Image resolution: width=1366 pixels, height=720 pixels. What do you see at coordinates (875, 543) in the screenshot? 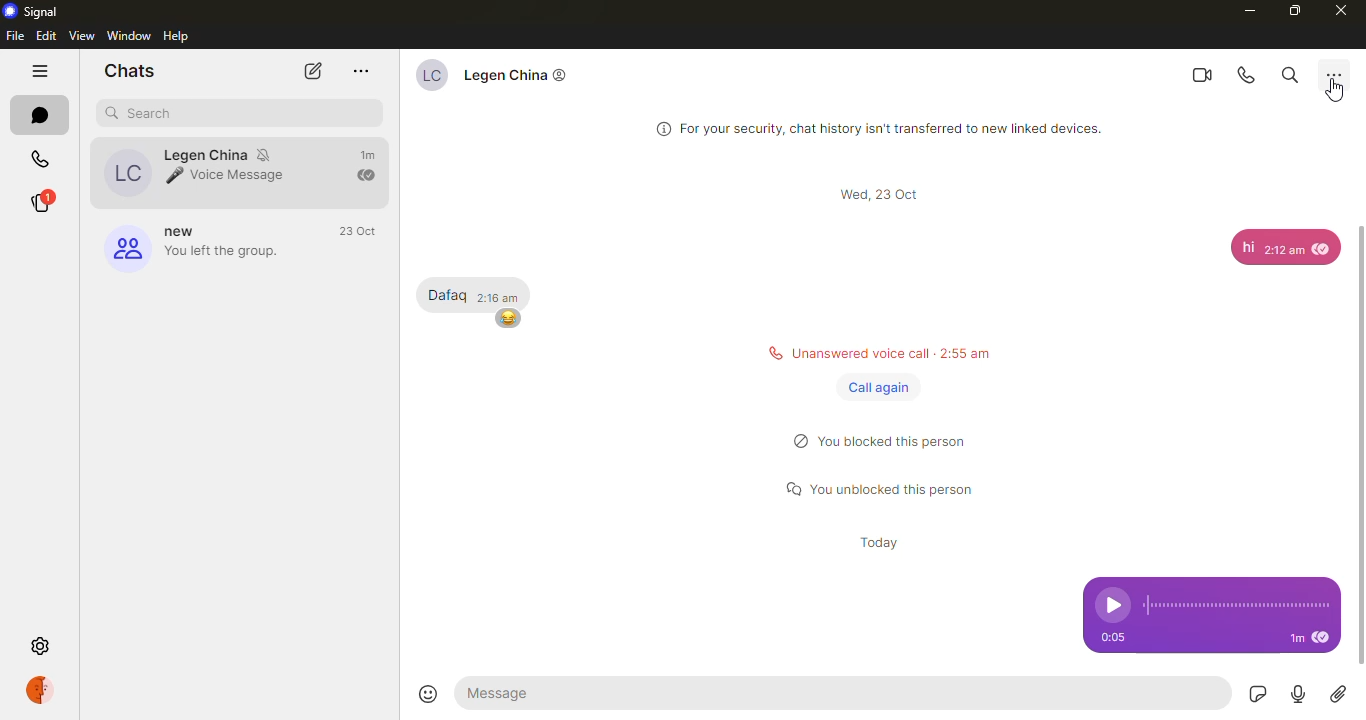
I see `time` at bounding box center [875, 543].